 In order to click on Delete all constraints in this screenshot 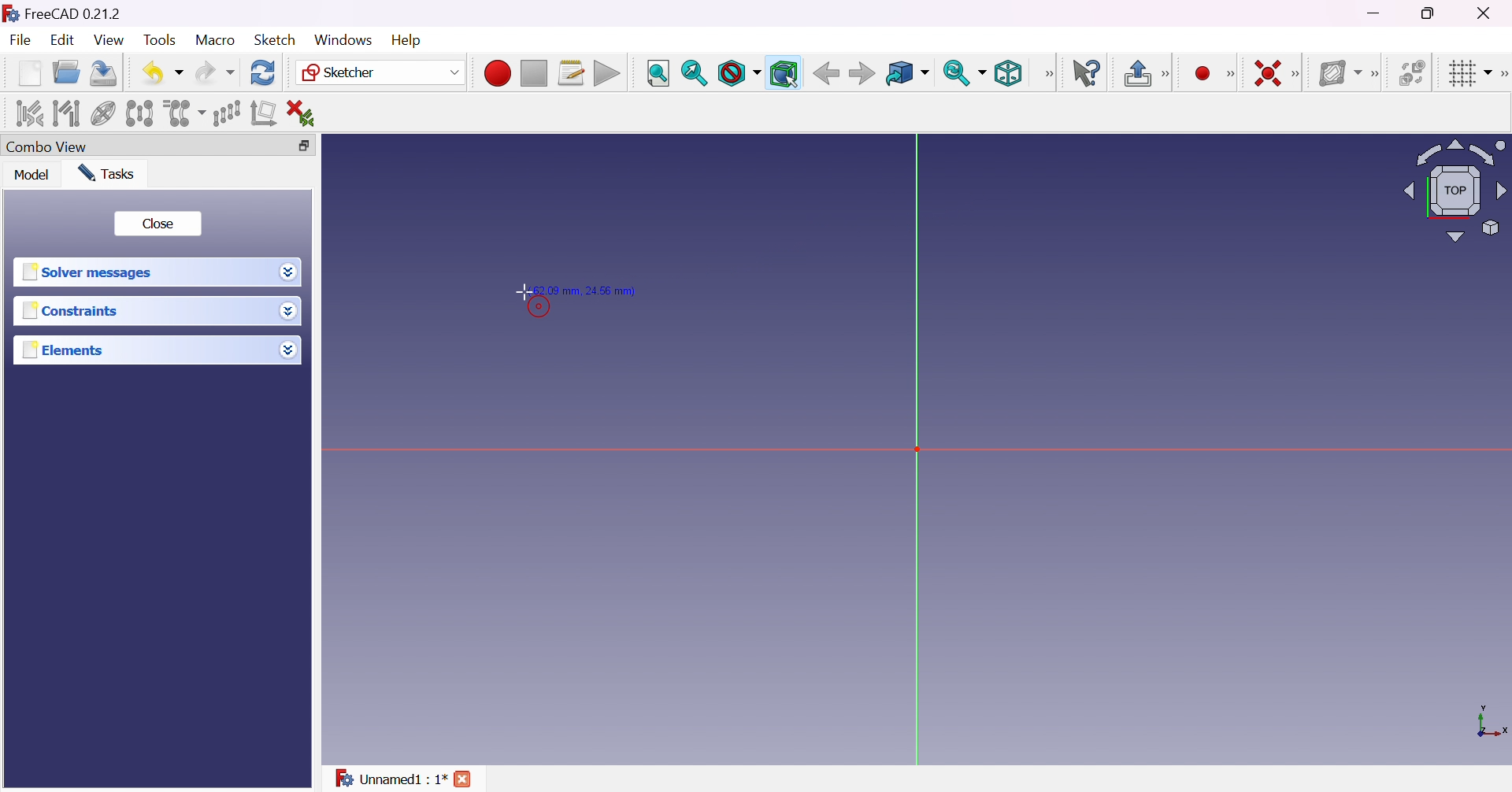, I will do `click(306, 113)`.